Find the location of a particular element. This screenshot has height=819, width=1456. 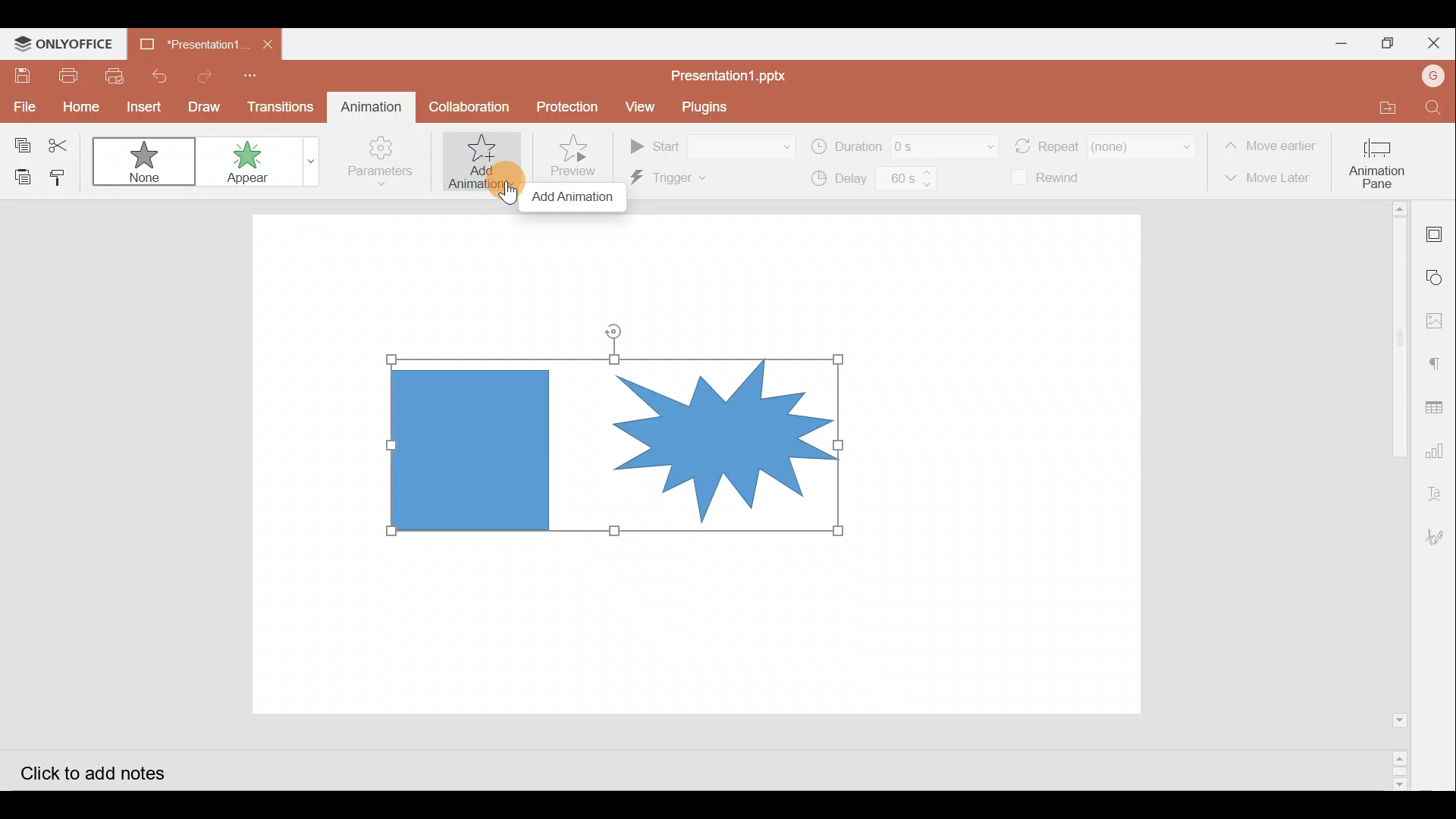

Cursor on add animation is located at coordinates (504, 177).